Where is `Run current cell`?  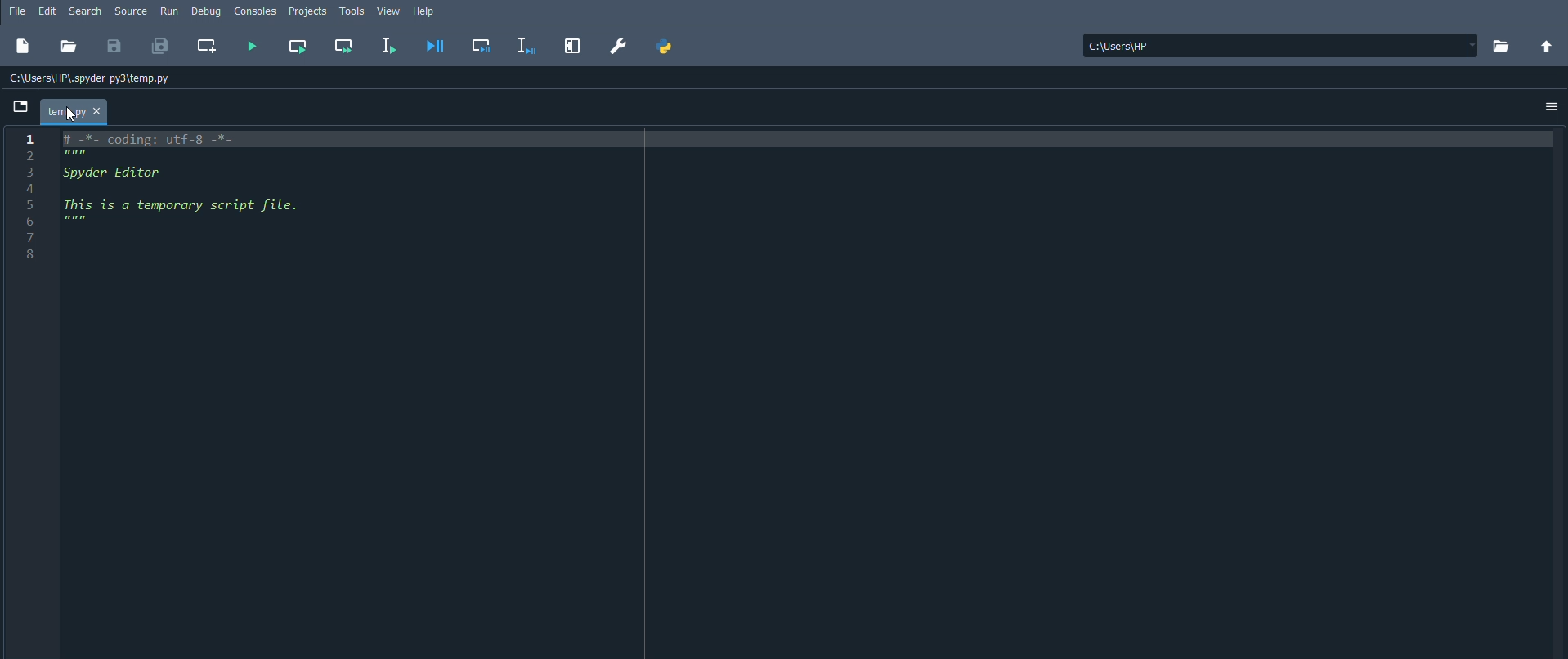 Run current cell is located at coordinates (298, 47).